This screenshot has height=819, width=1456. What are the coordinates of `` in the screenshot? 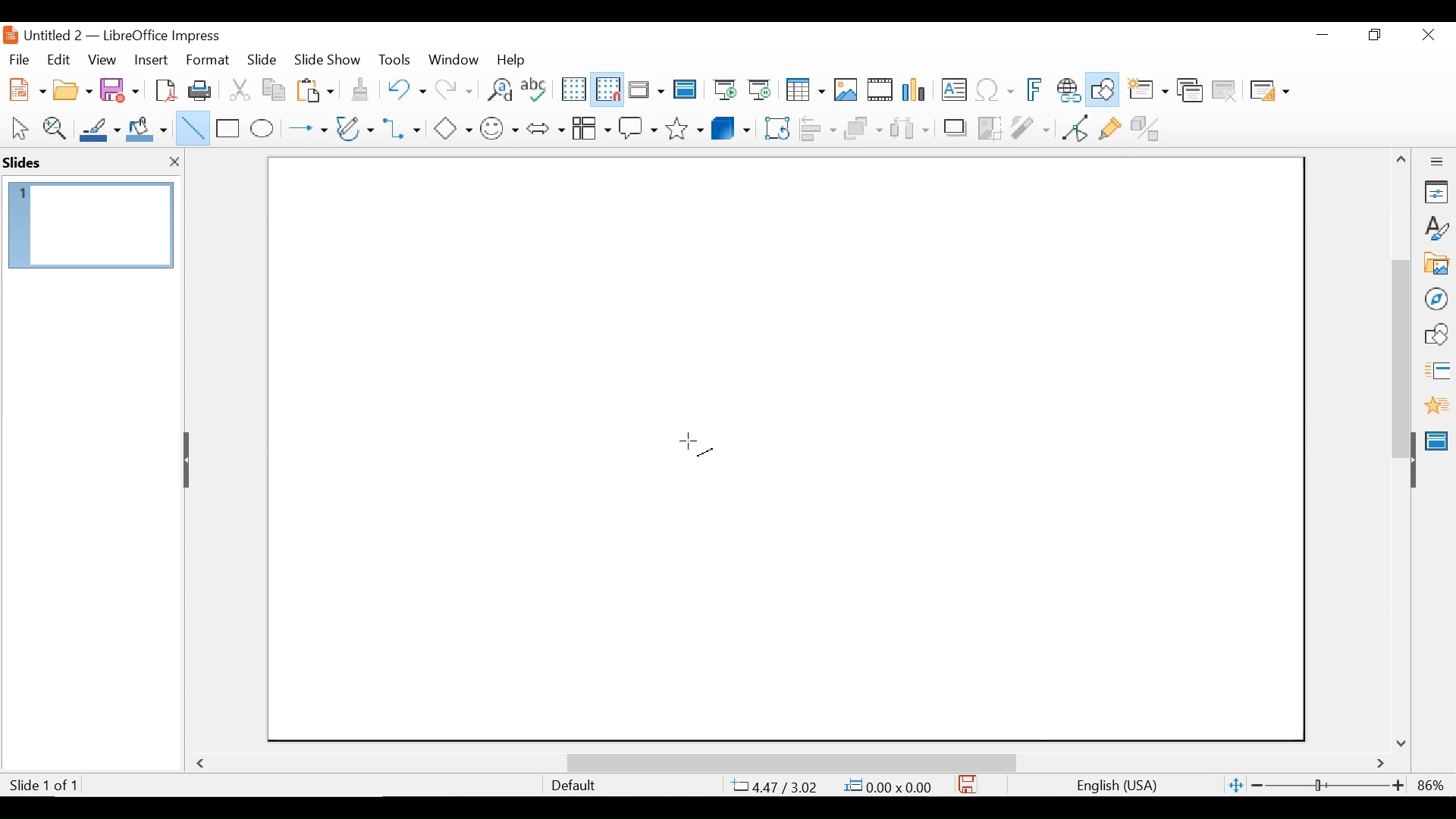 It's located at (591, 127).